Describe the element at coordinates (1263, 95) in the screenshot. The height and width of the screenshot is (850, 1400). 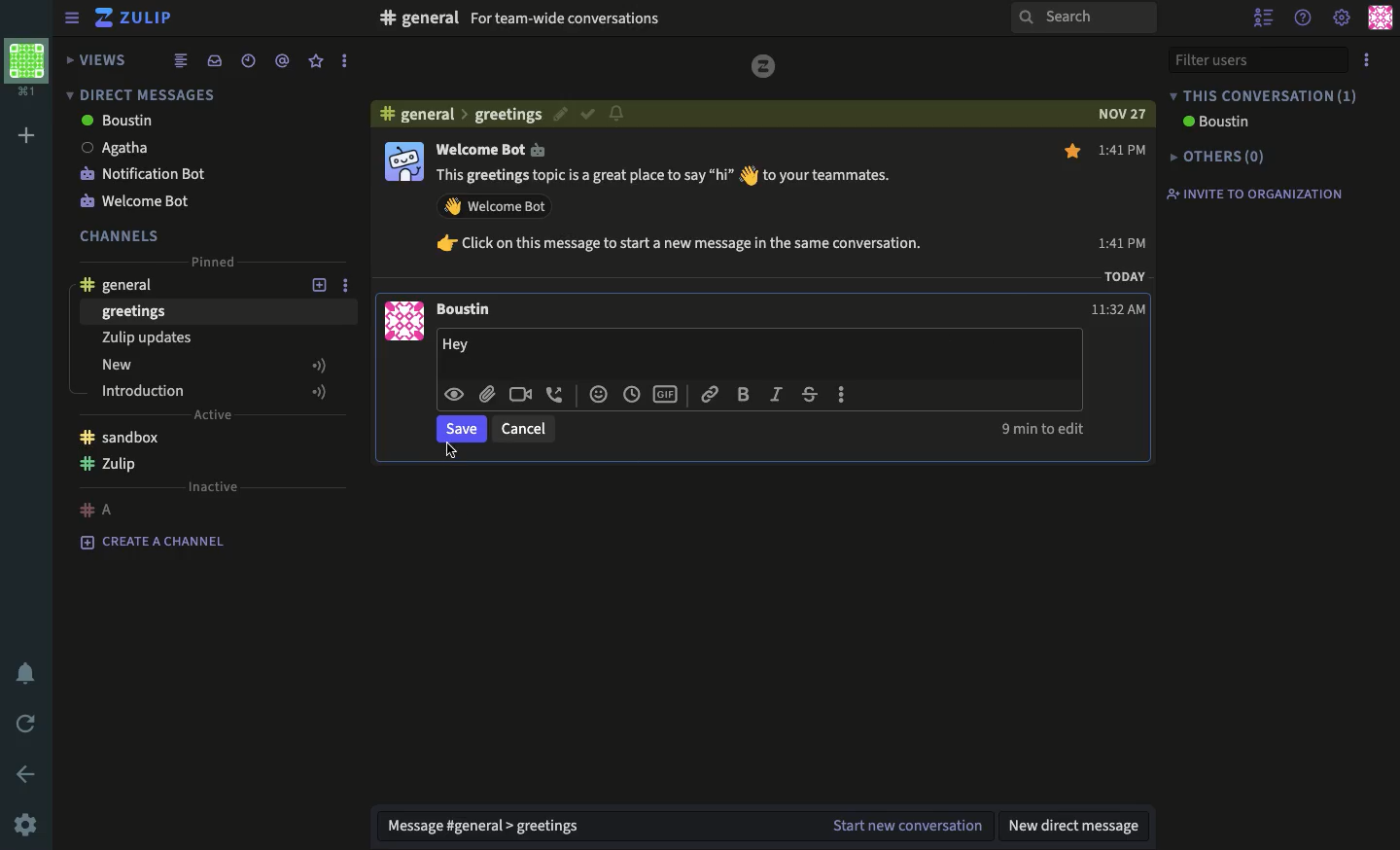
I see `this conversation` at that location.